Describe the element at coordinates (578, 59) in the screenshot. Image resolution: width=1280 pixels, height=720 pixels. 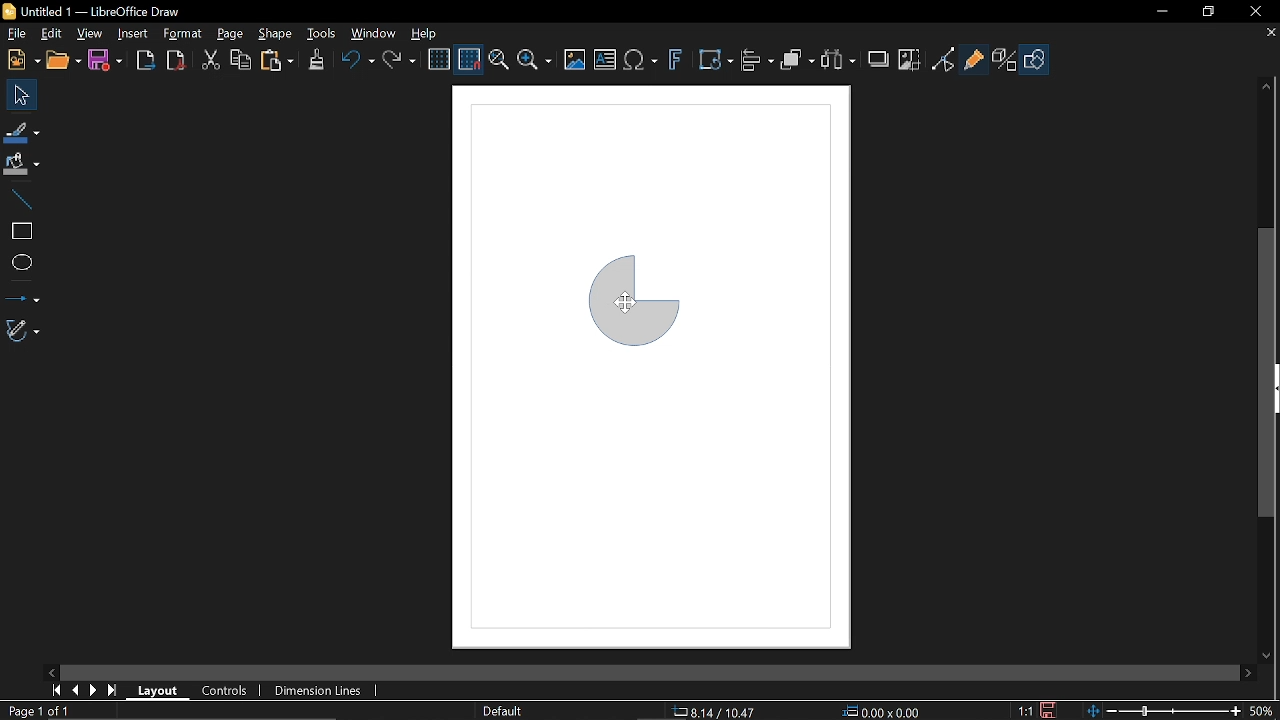
I see `insert image` at that location.